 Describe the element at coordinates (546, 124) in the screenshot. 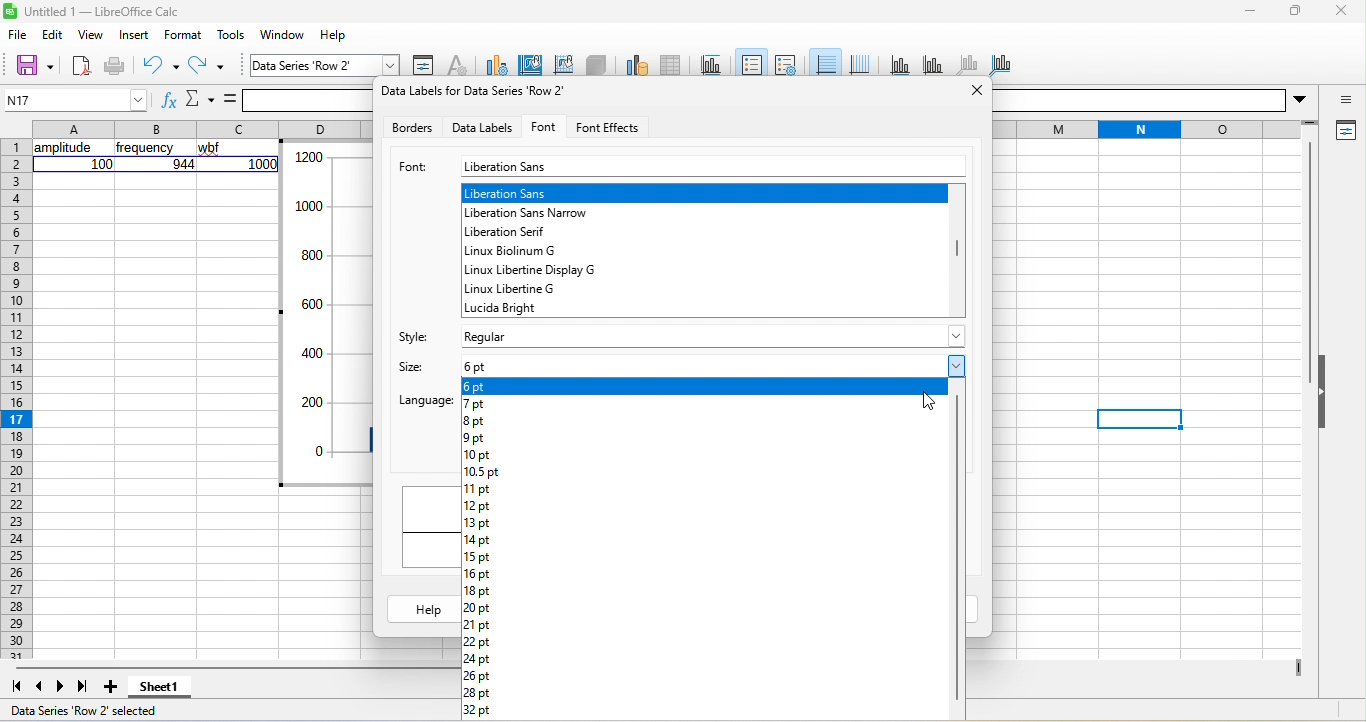

I see `font` at that location.